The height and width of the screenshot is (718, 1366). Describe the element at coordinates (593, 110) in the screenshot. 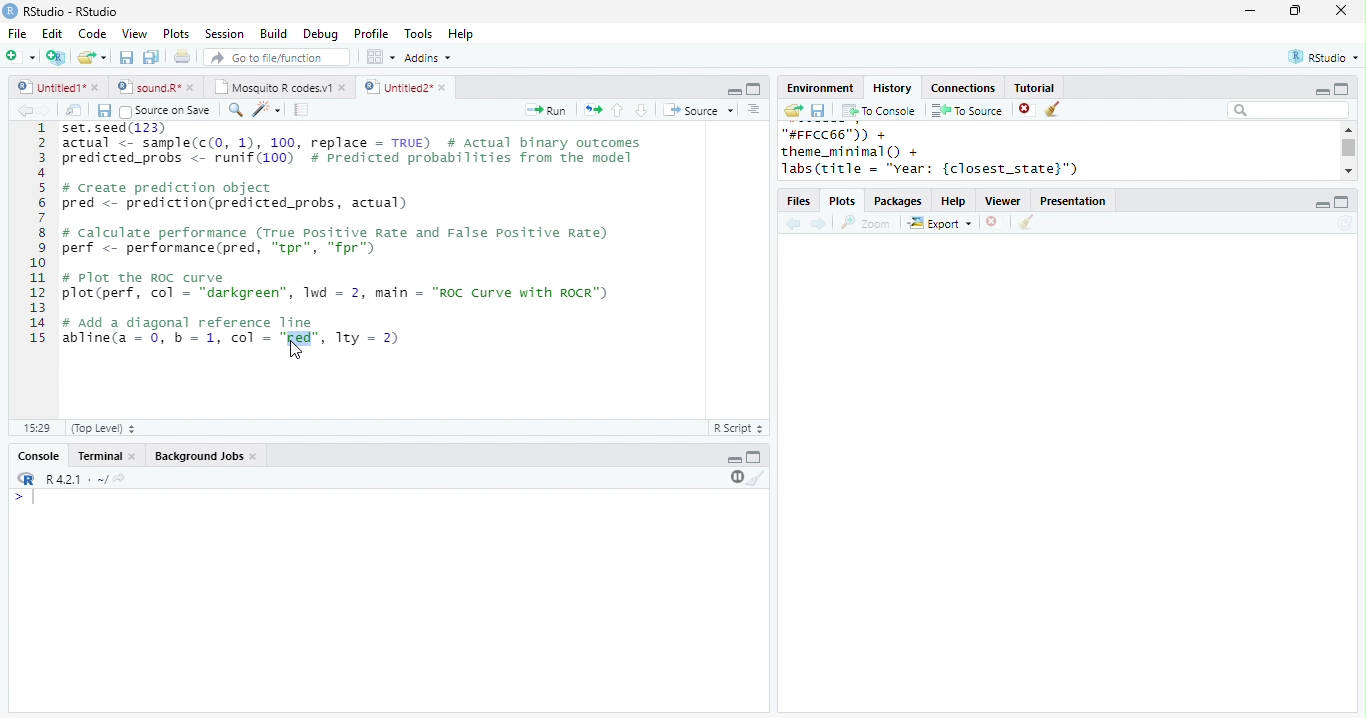

I see `rerun` at that location.